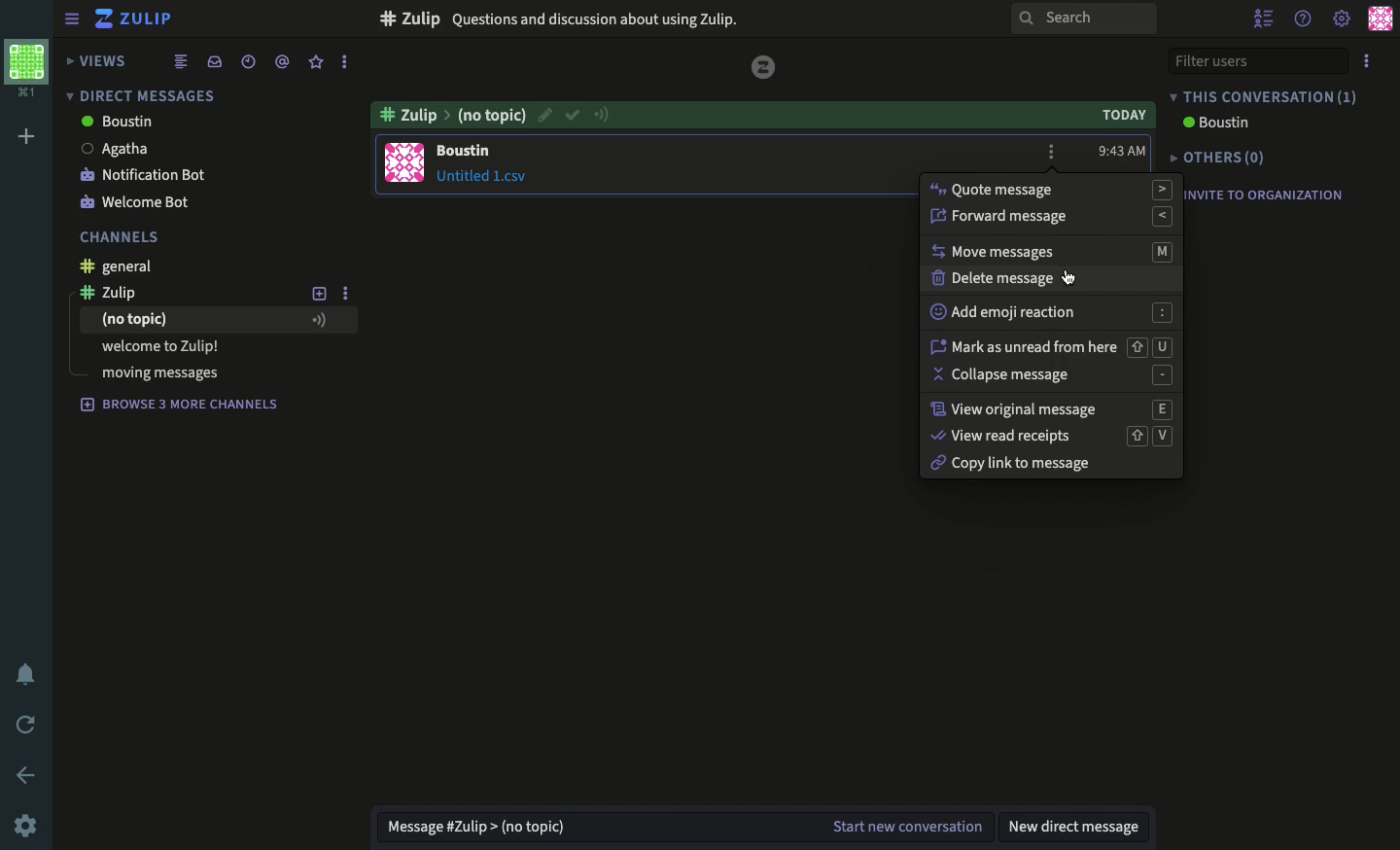 Image resolution: width=1400 pixels, height=850 pixels. I want to click on This conversation, so click(1266, 96).